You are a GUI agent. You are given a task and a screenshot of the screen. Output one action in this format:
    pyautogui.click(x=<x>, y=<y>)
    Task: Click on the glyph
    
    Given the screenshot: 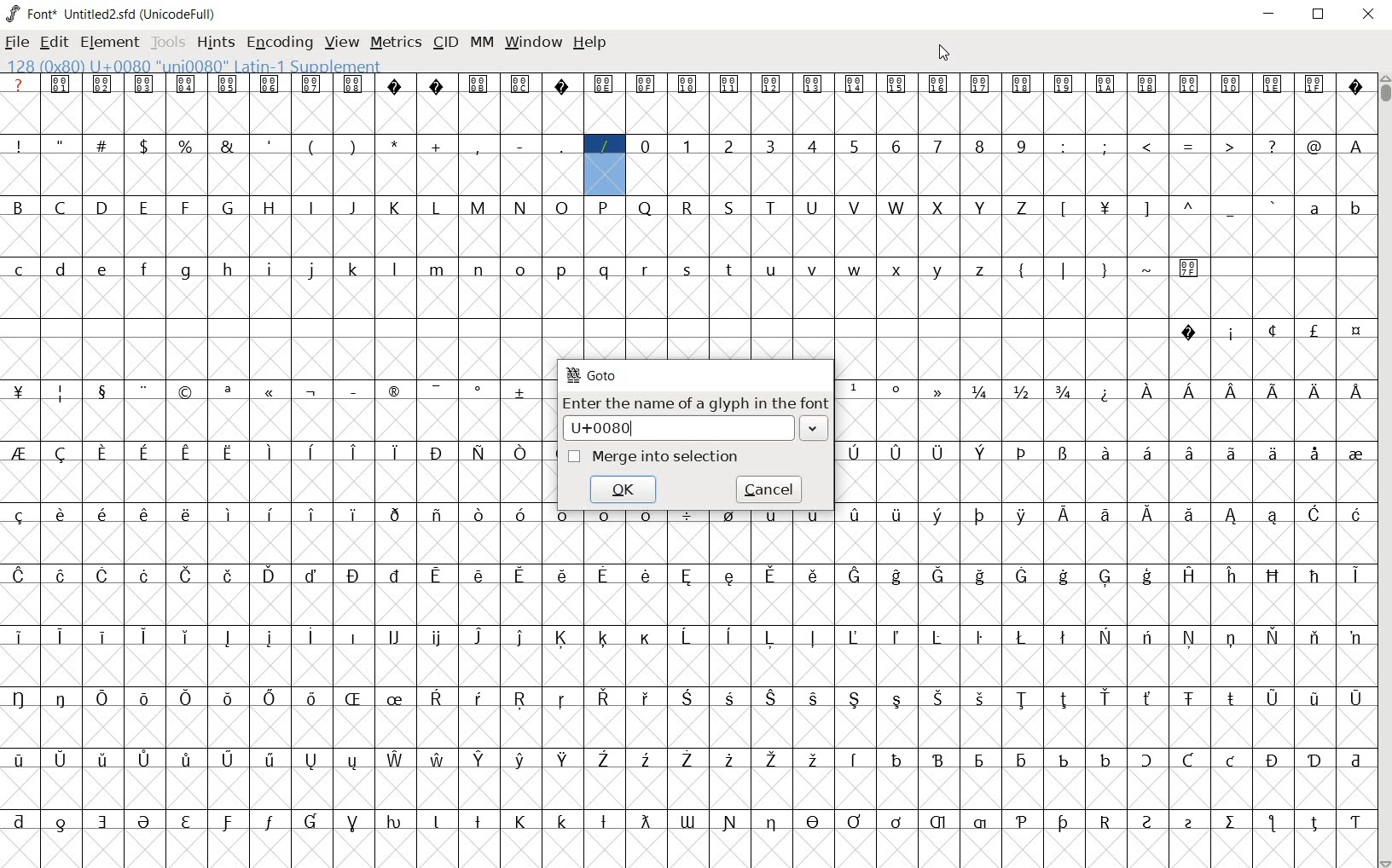 What is the action you would take?
    pyautogui.click(x=1231, y=761)
    